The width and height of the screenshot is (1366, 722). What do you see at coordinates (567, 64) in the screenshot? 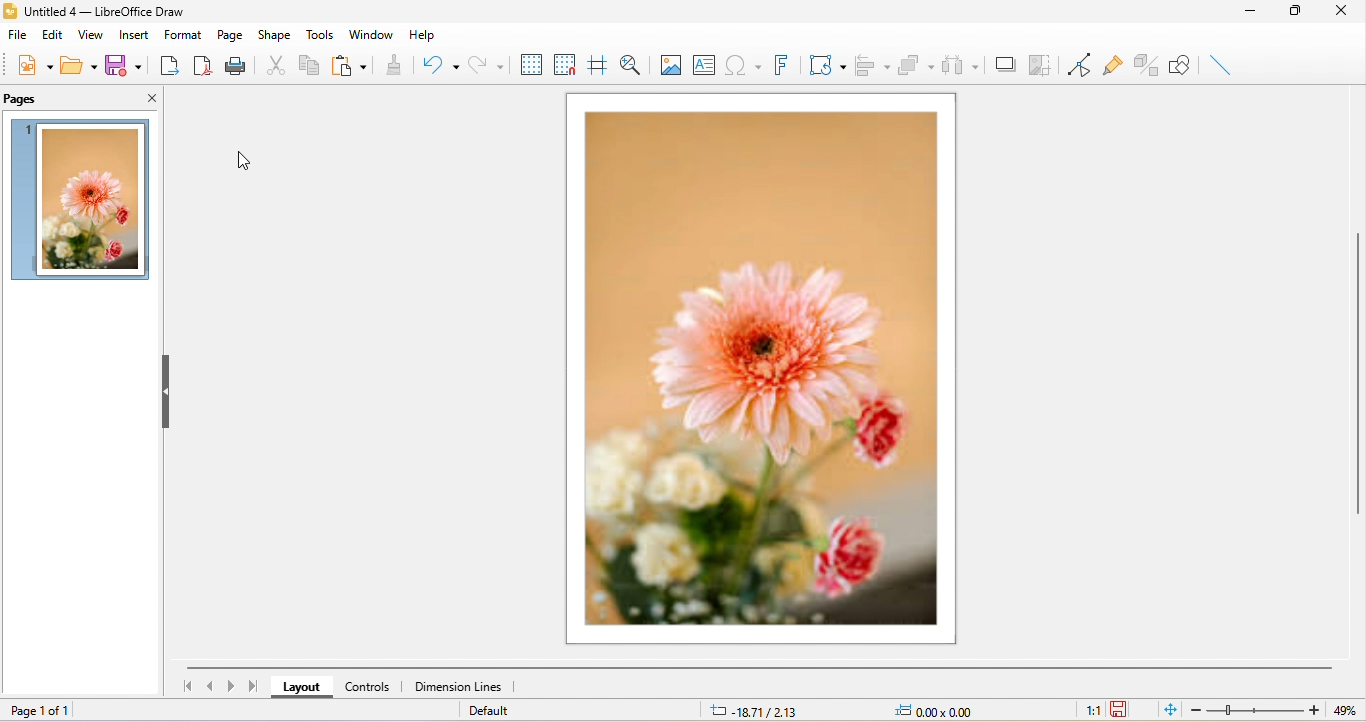
I see `snap to grids` at bounding box center [567, 64].